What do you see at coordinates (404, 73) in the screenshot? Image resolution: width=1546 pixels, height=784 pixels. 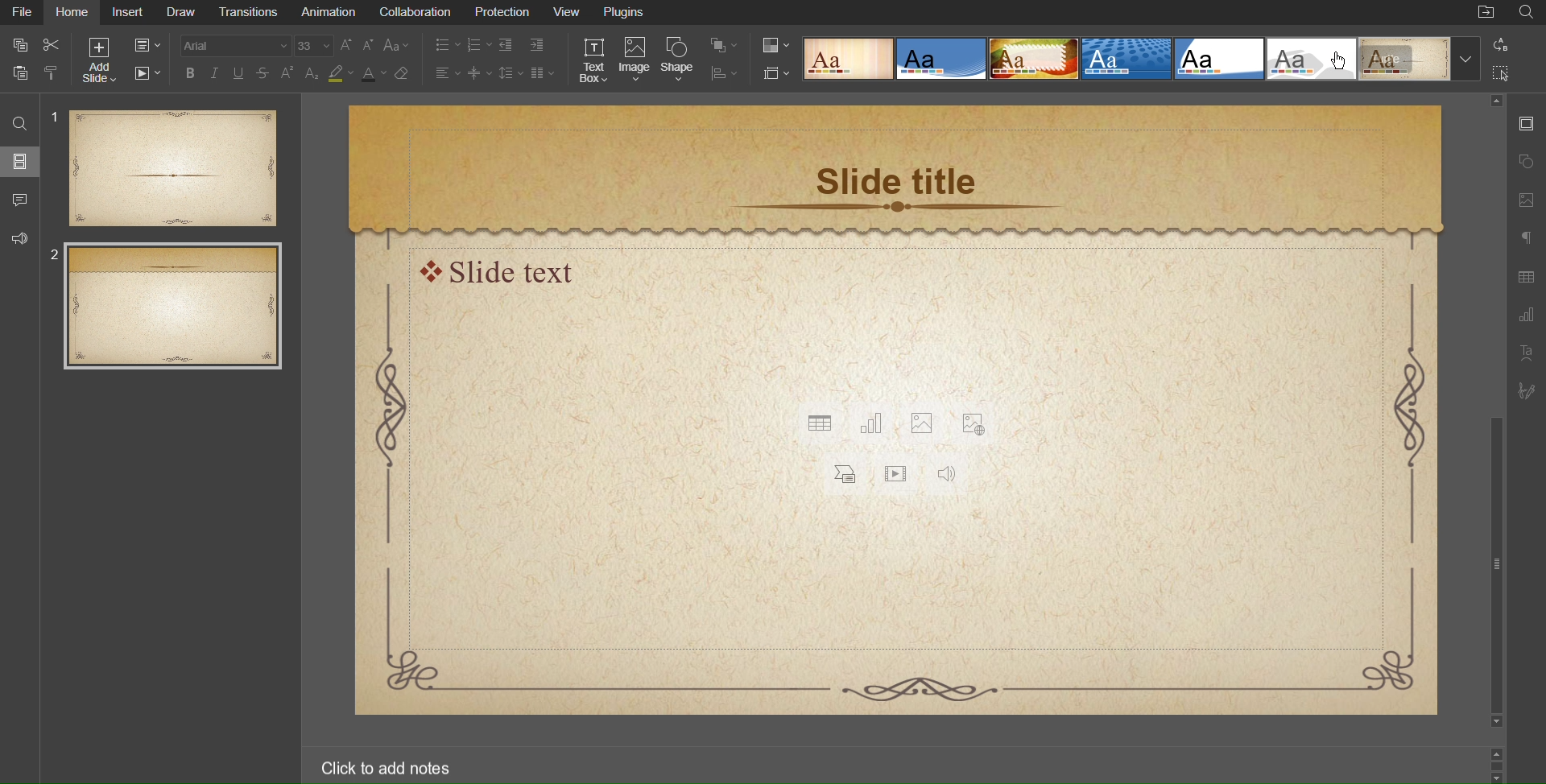 I see `Erase` at bounding box center [404, 73].